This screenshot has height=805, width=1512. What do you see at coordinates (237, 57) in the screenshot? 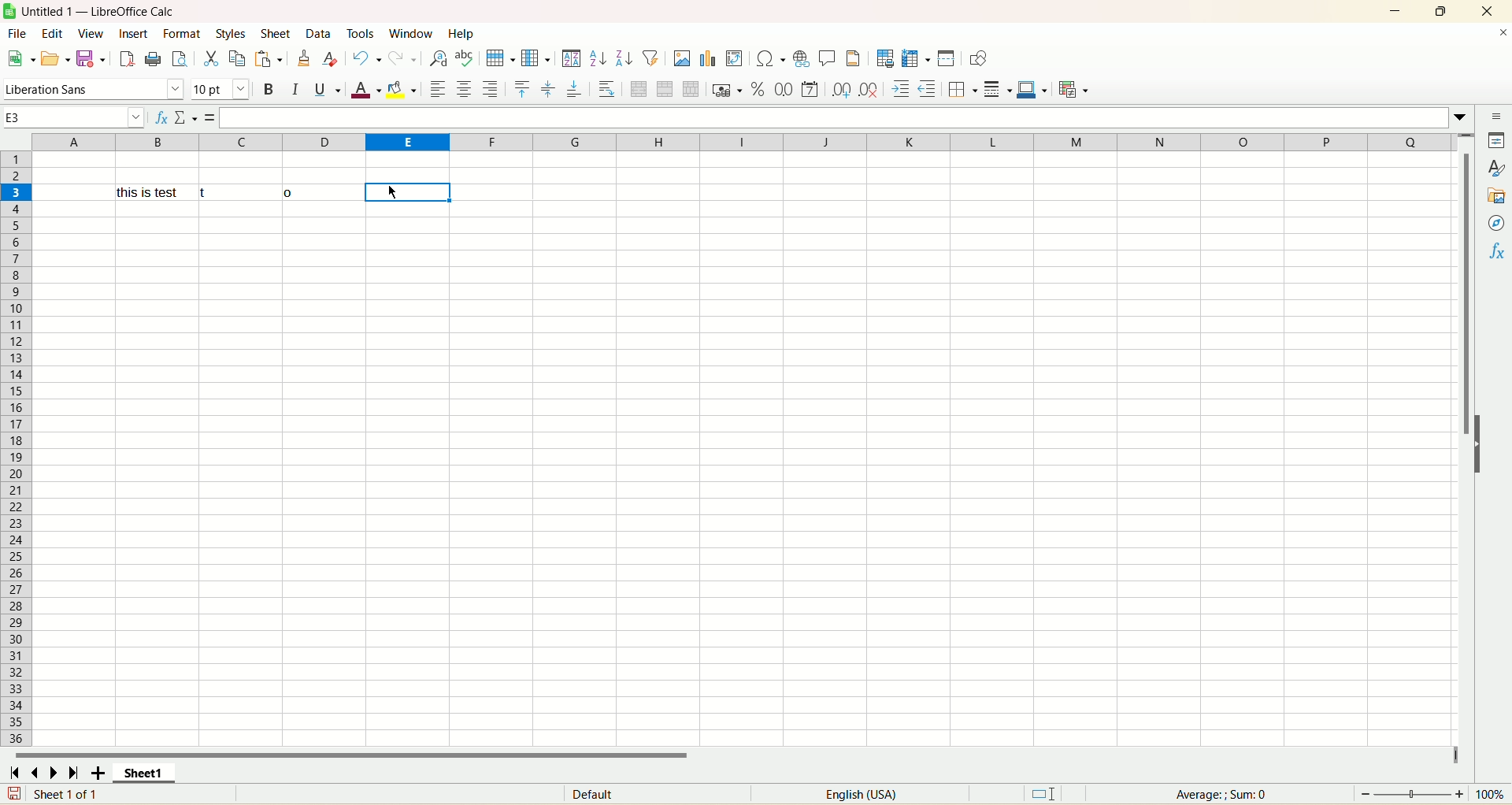
I see `copy` at bounding box center [237, 57].